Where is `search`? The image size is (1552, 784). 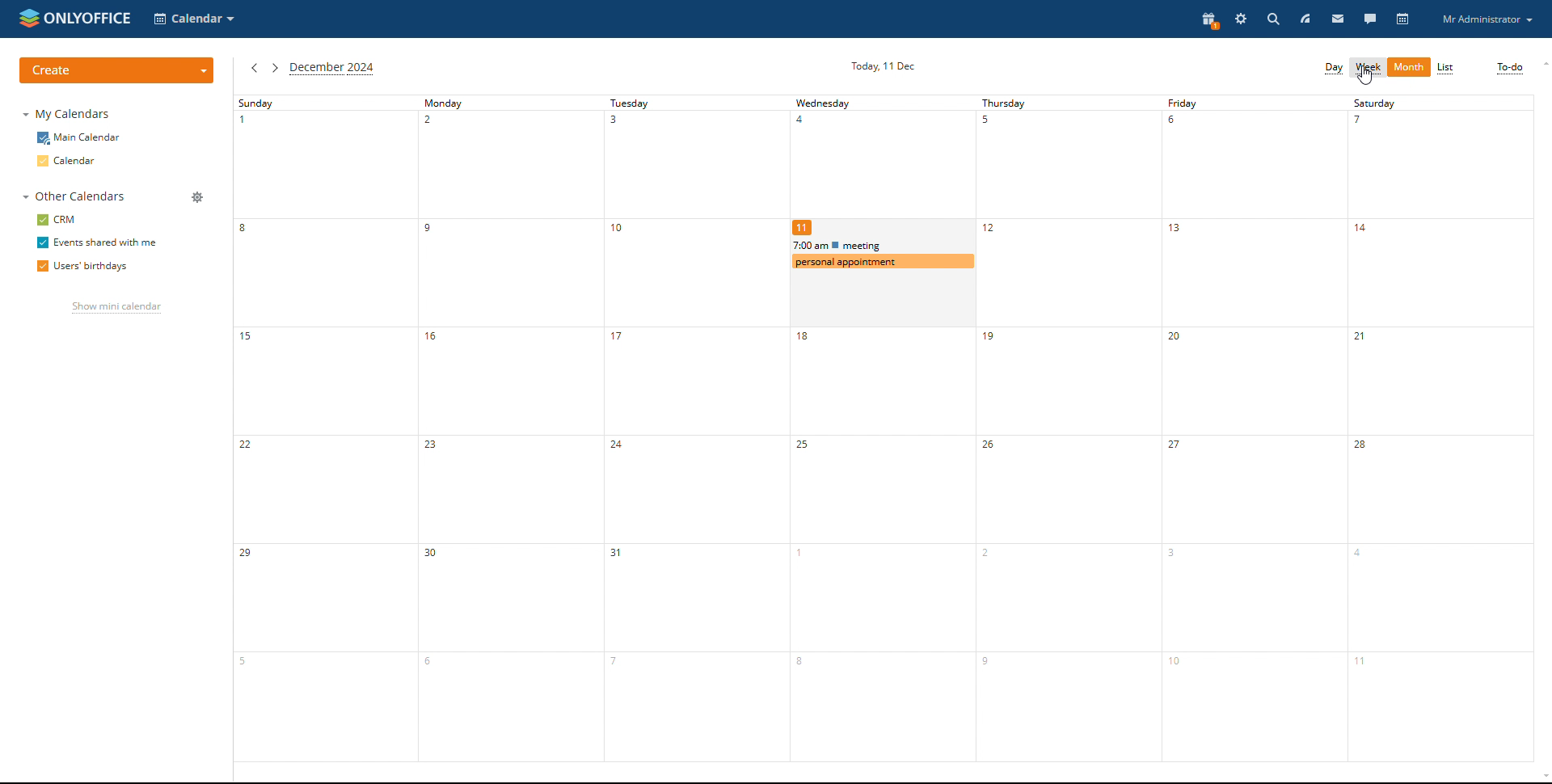
search is located at coordinates (1272, 19).